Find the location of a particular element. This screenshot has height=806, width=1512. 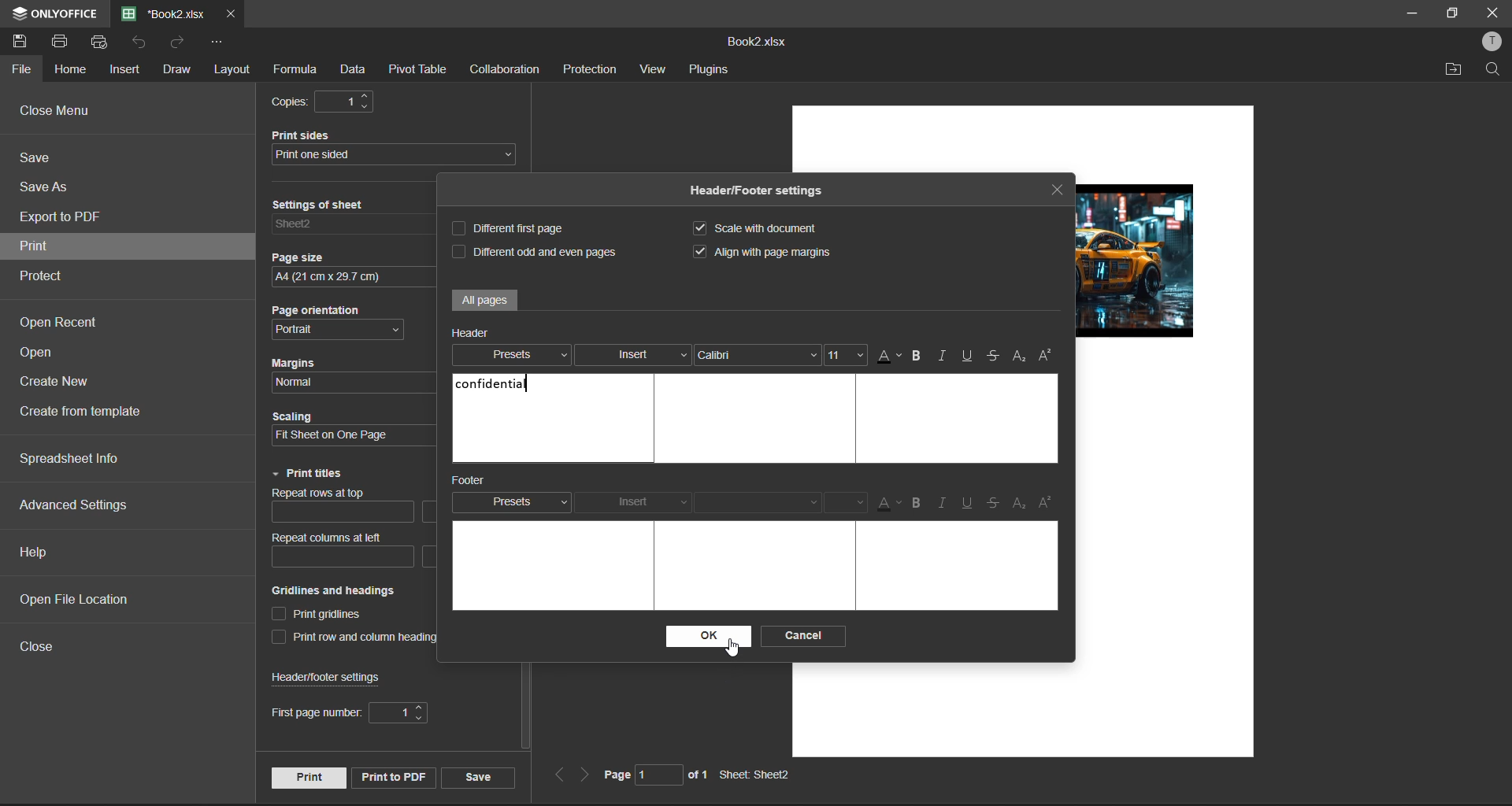

find is located at coordinates (1496, 70).